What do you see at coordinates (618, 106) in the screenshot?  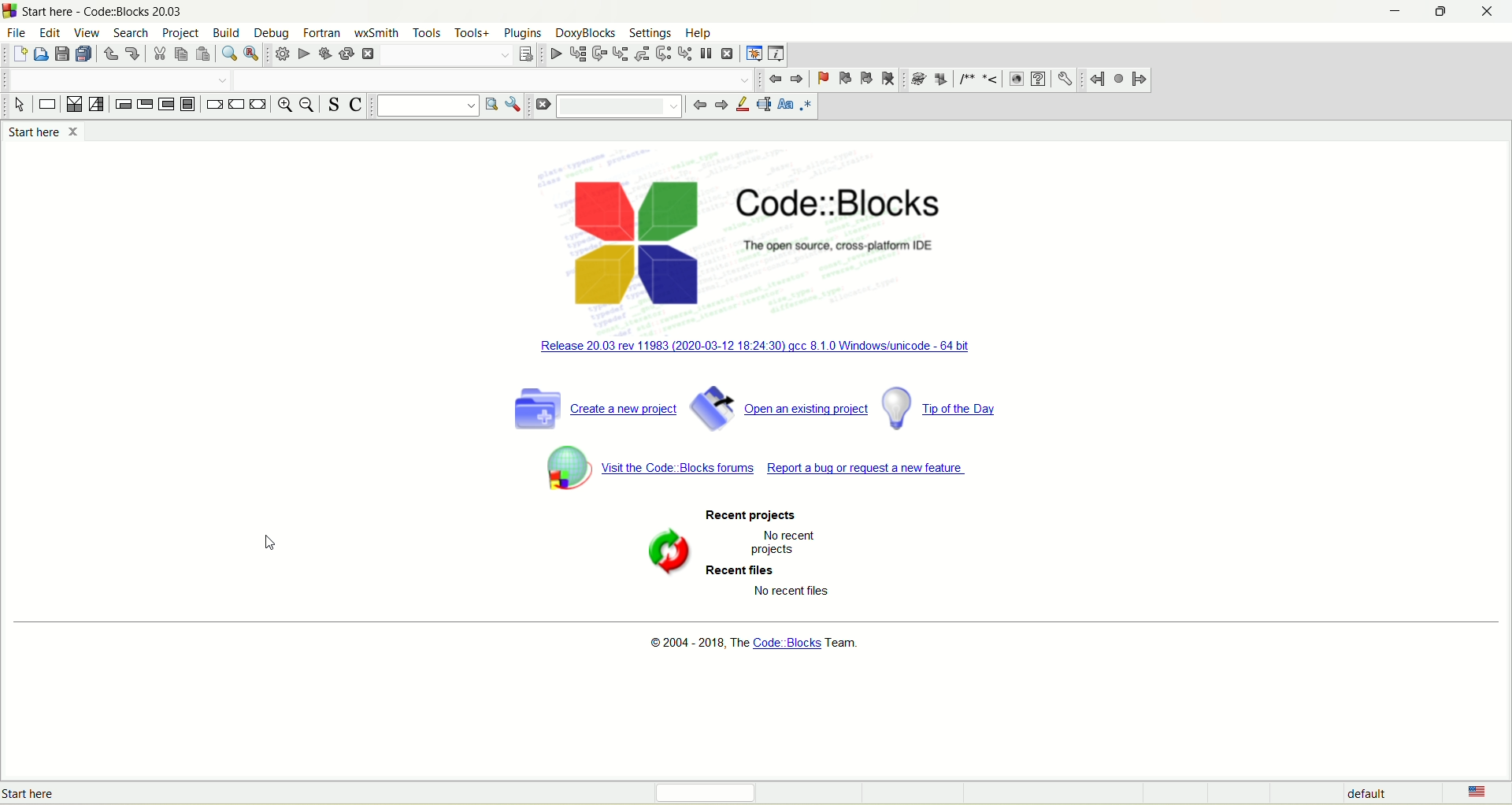 I see `blank space` at bounding box center [618, 106].